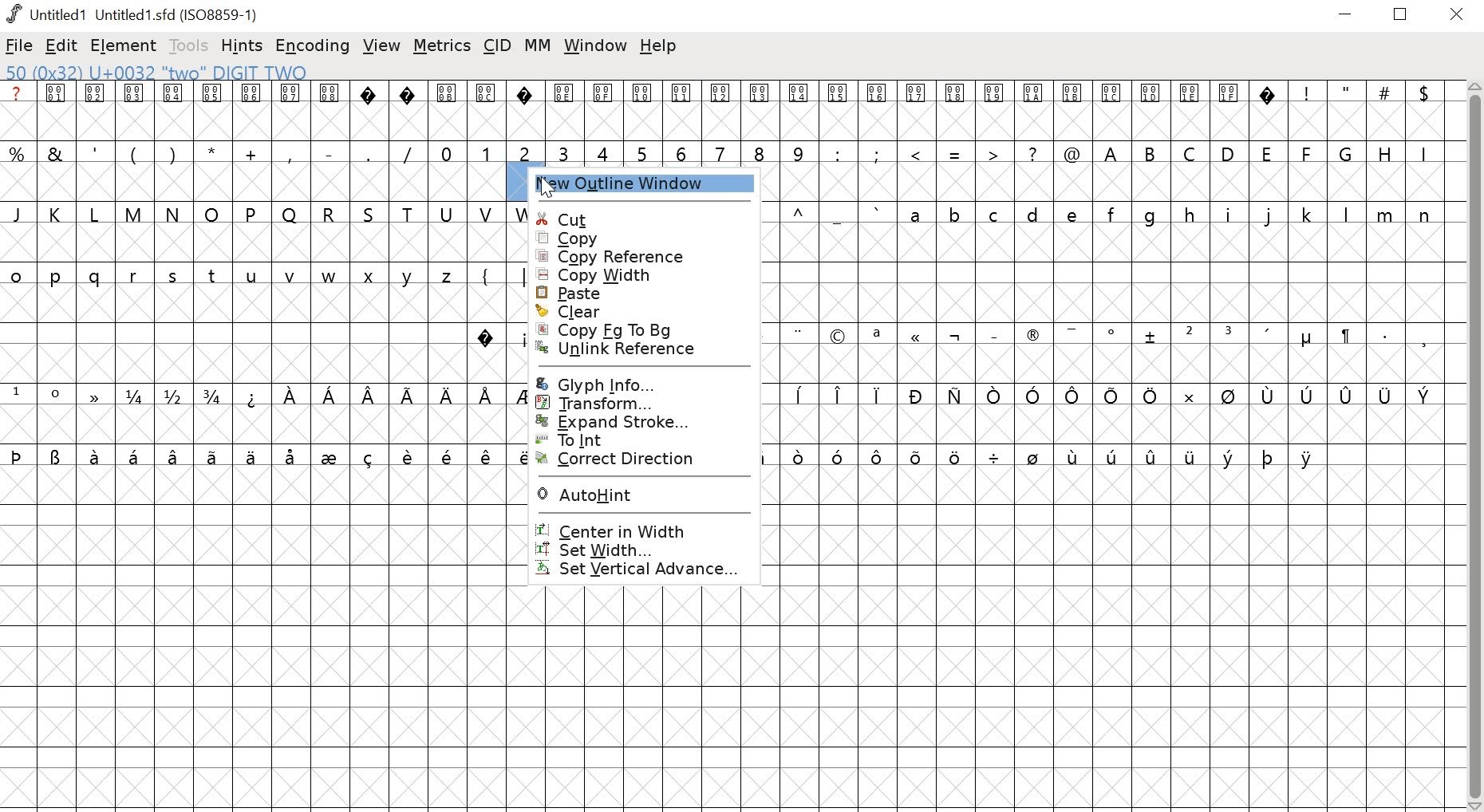  Describe the element at coordinates (1111, 335) in the screenshot. I see `glyphs` at that location.